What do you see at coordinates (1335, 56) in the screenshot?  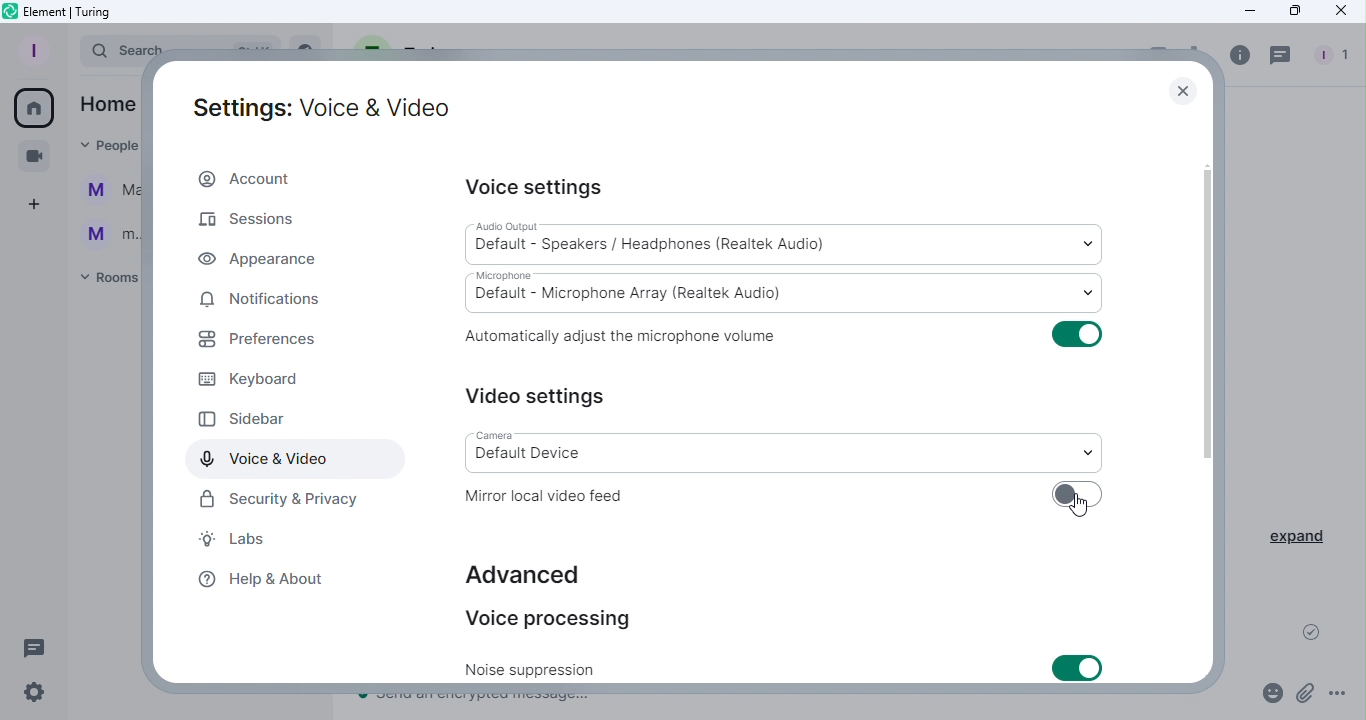 I see `People` at bounding box center [1335, 56].